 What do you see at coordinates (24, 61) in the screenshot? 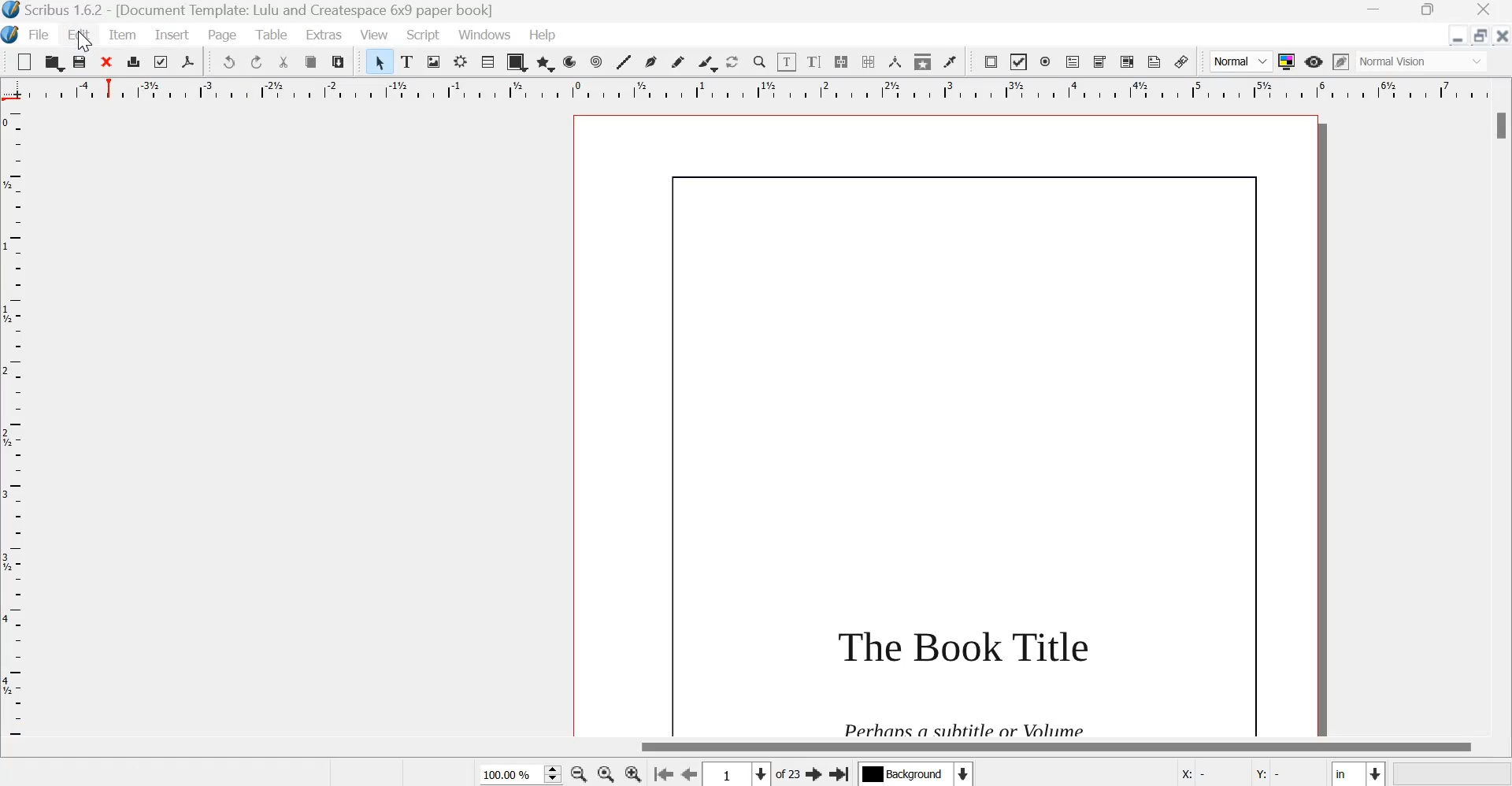
I see `New` at bounding box center [24, 61].